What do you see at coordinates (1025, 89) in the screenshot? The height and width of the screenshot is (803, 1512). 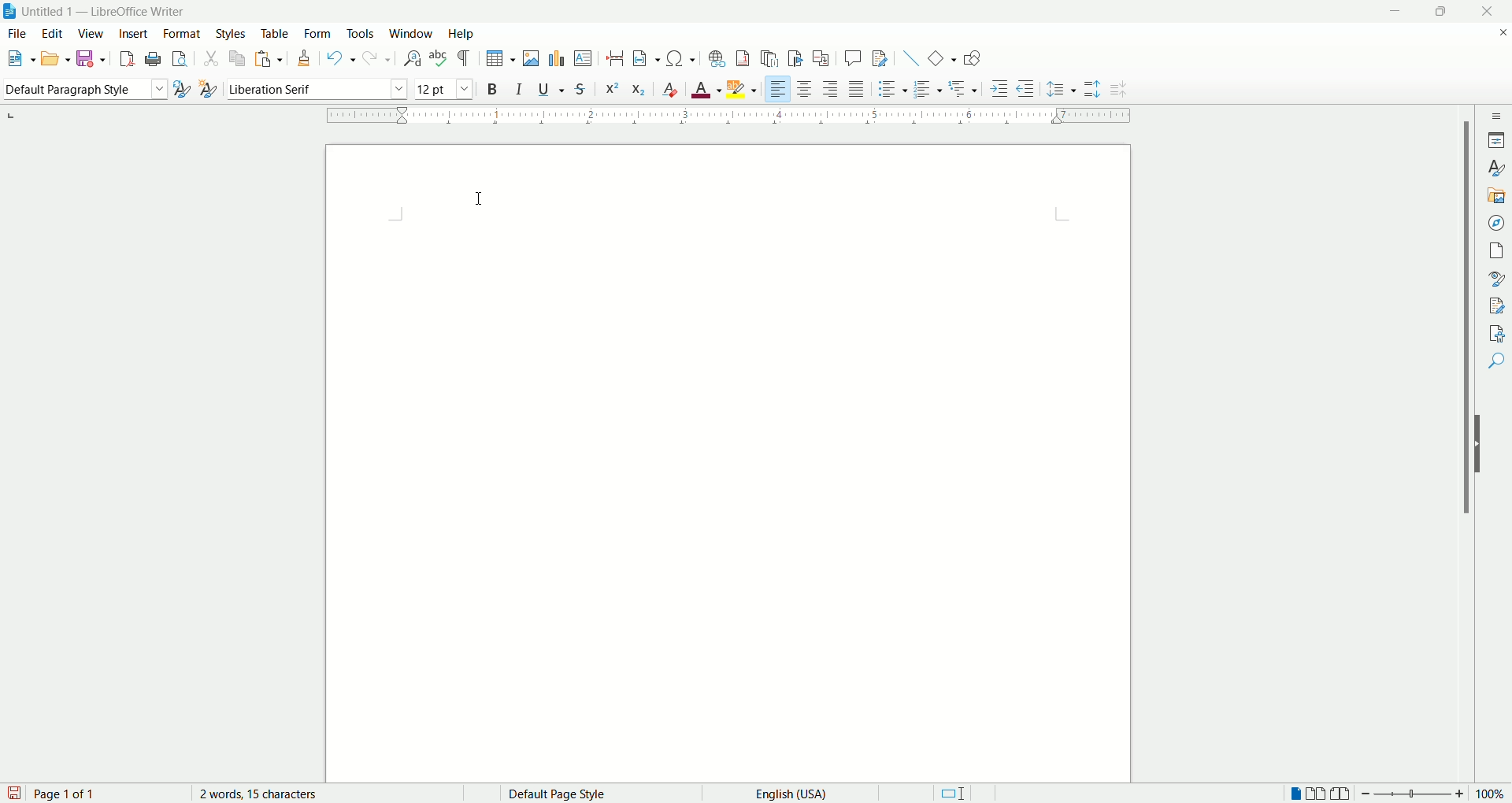 I see `decrease indent` at bounding box center [1025, 89].